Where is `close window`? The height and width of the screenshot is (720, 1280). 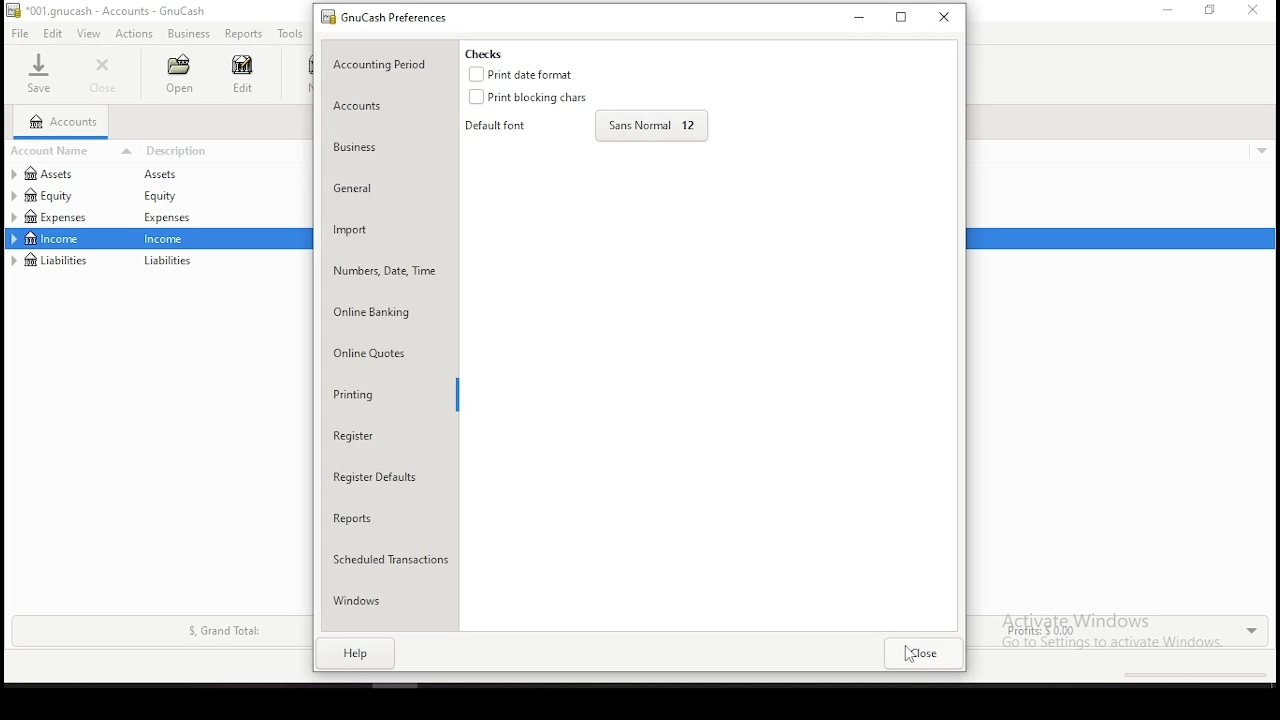 close window is located at coordinates (1254, 10).